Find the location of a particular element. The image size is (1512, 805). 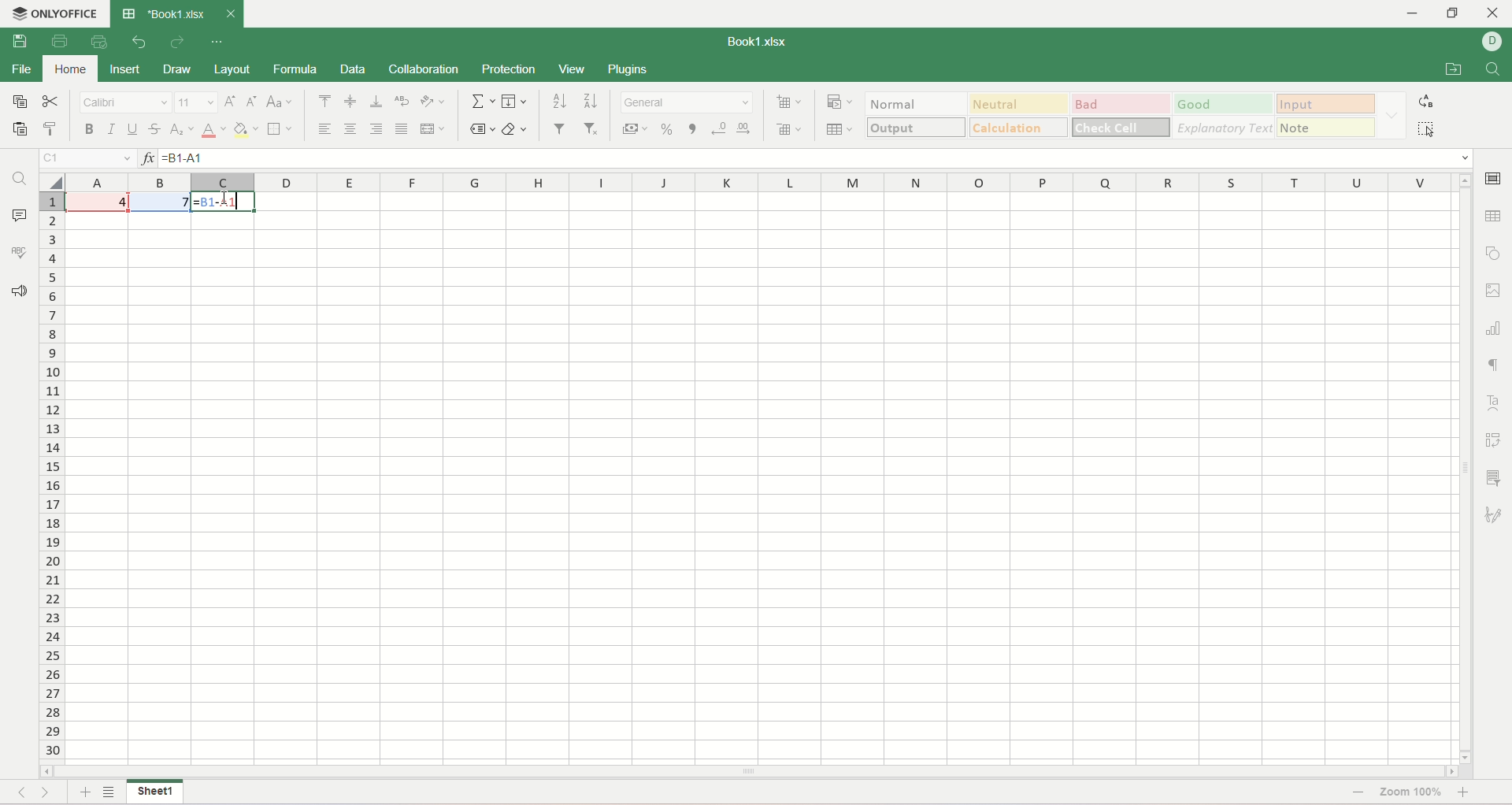

file is located at coordinates (20, 69).